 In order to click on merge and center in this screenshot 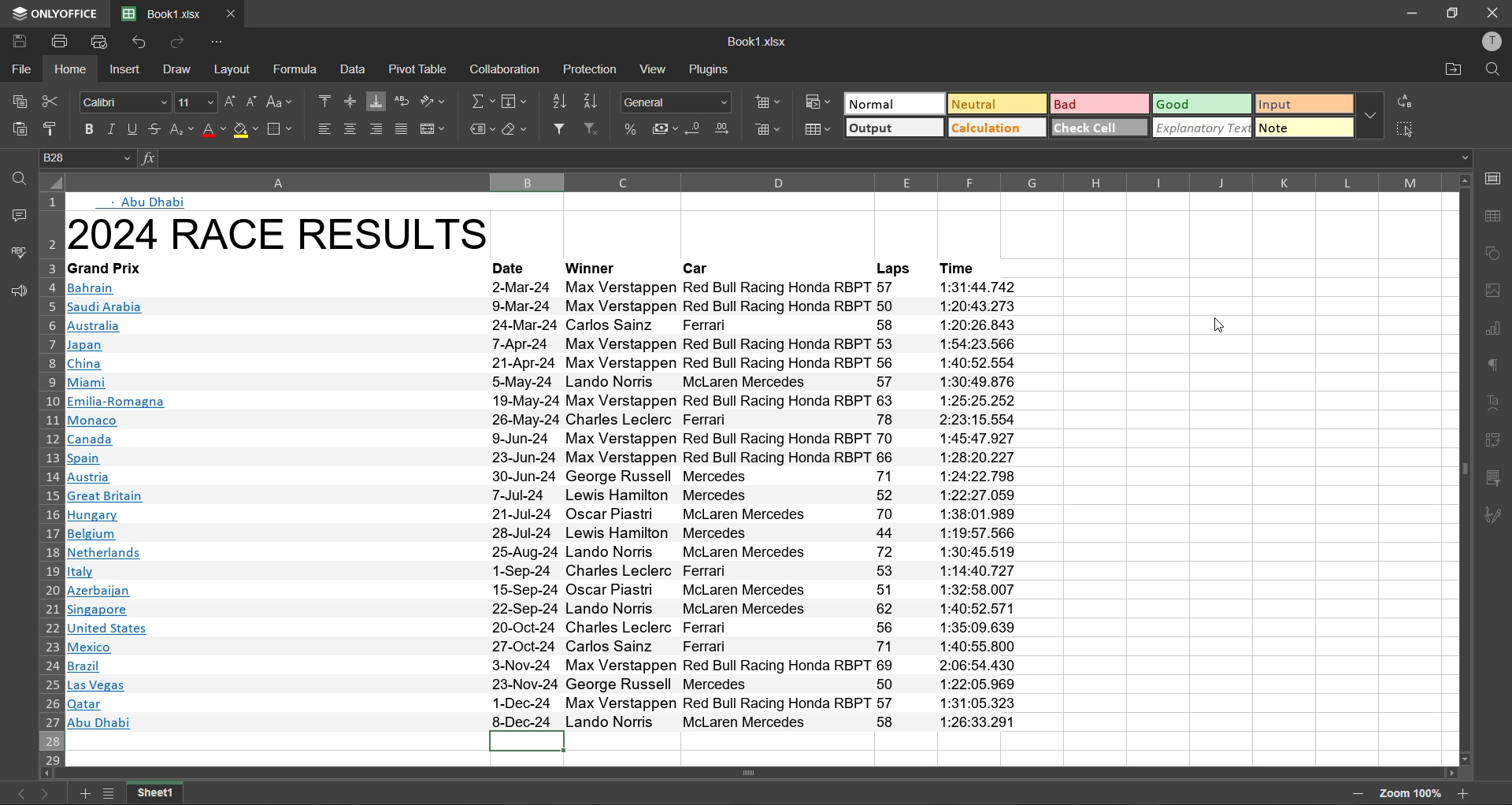, I will do `click(435, 131)`.